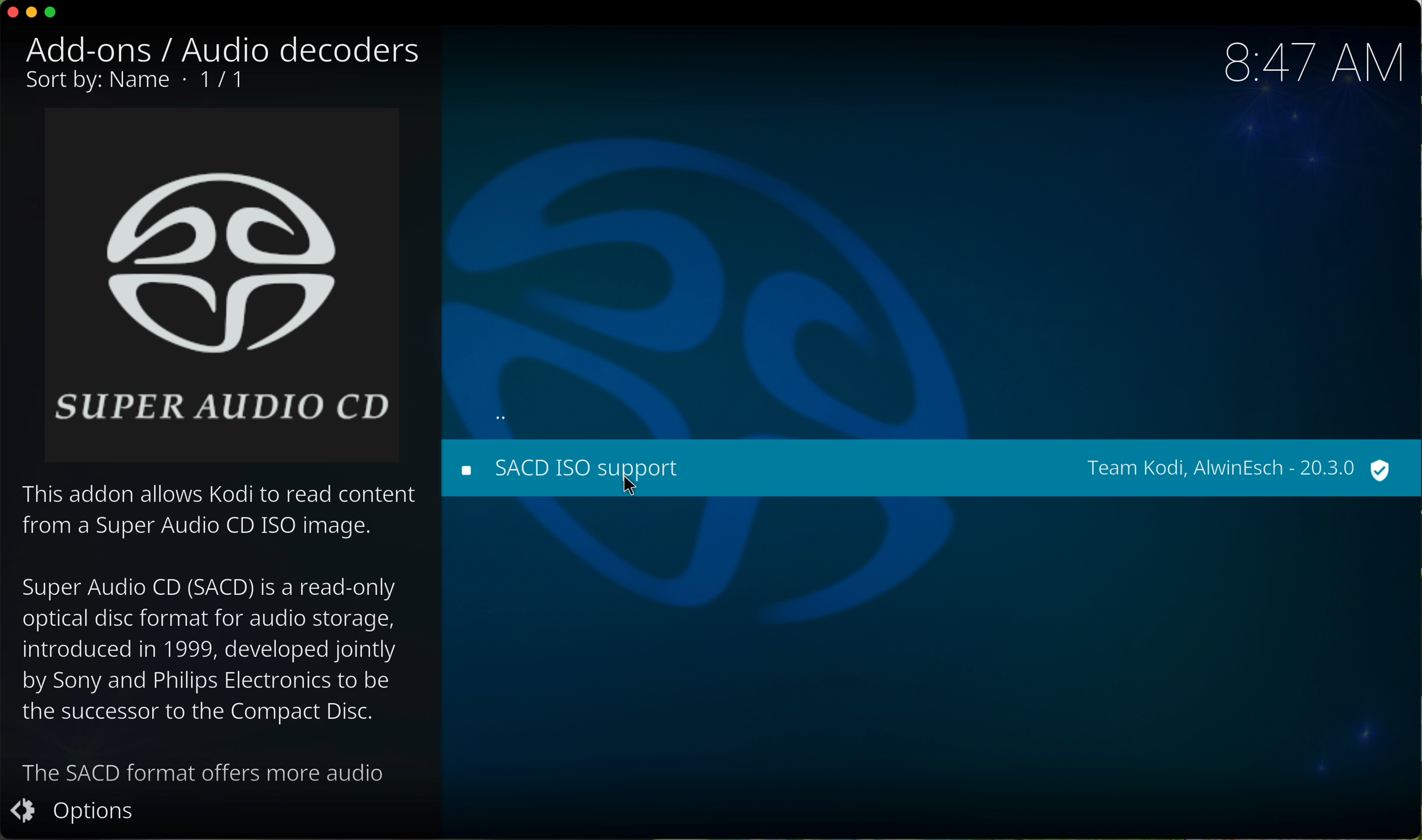 The width and height of the screenshot is (1422, 840). I want to click on 1/1, so click(222, 80).